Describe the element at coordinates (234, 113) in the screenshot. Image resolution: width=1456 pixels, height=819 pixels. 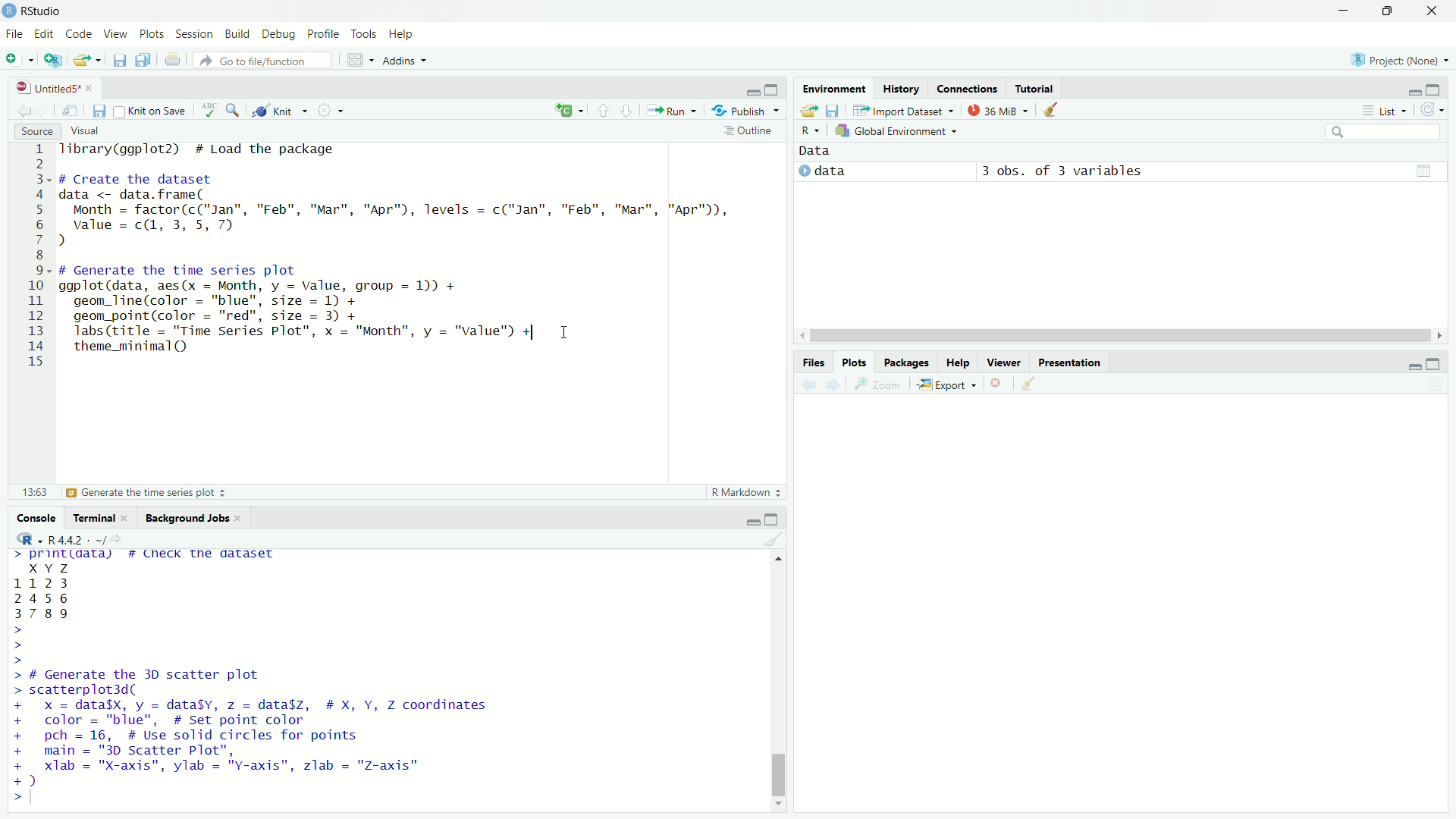
I see `find/replace` at that location.